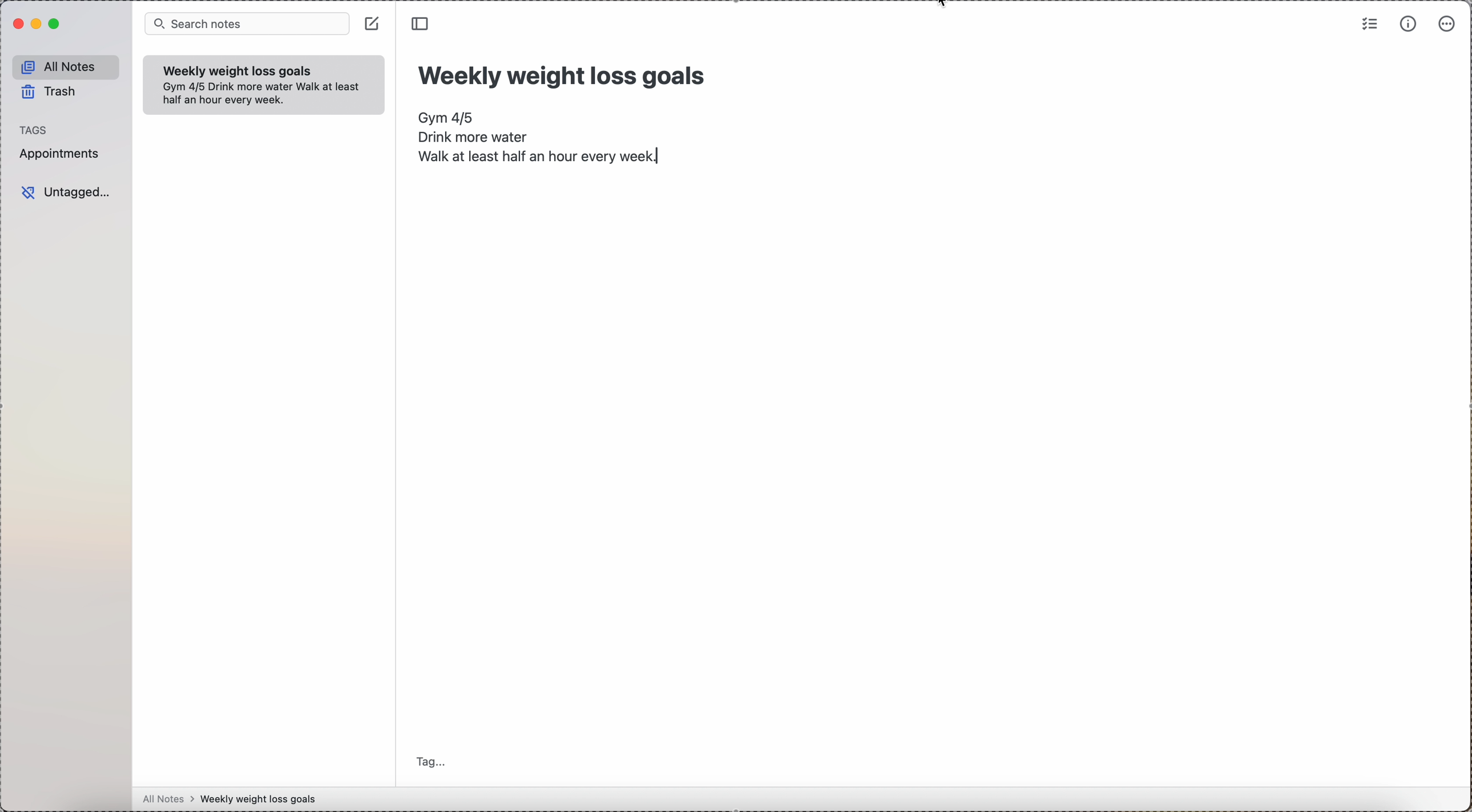 This screenshot has height=812, width=1472. What do you see at coordinates (373, 23) in the screenshot?
I see `create note` at bounding box center [373, 23].